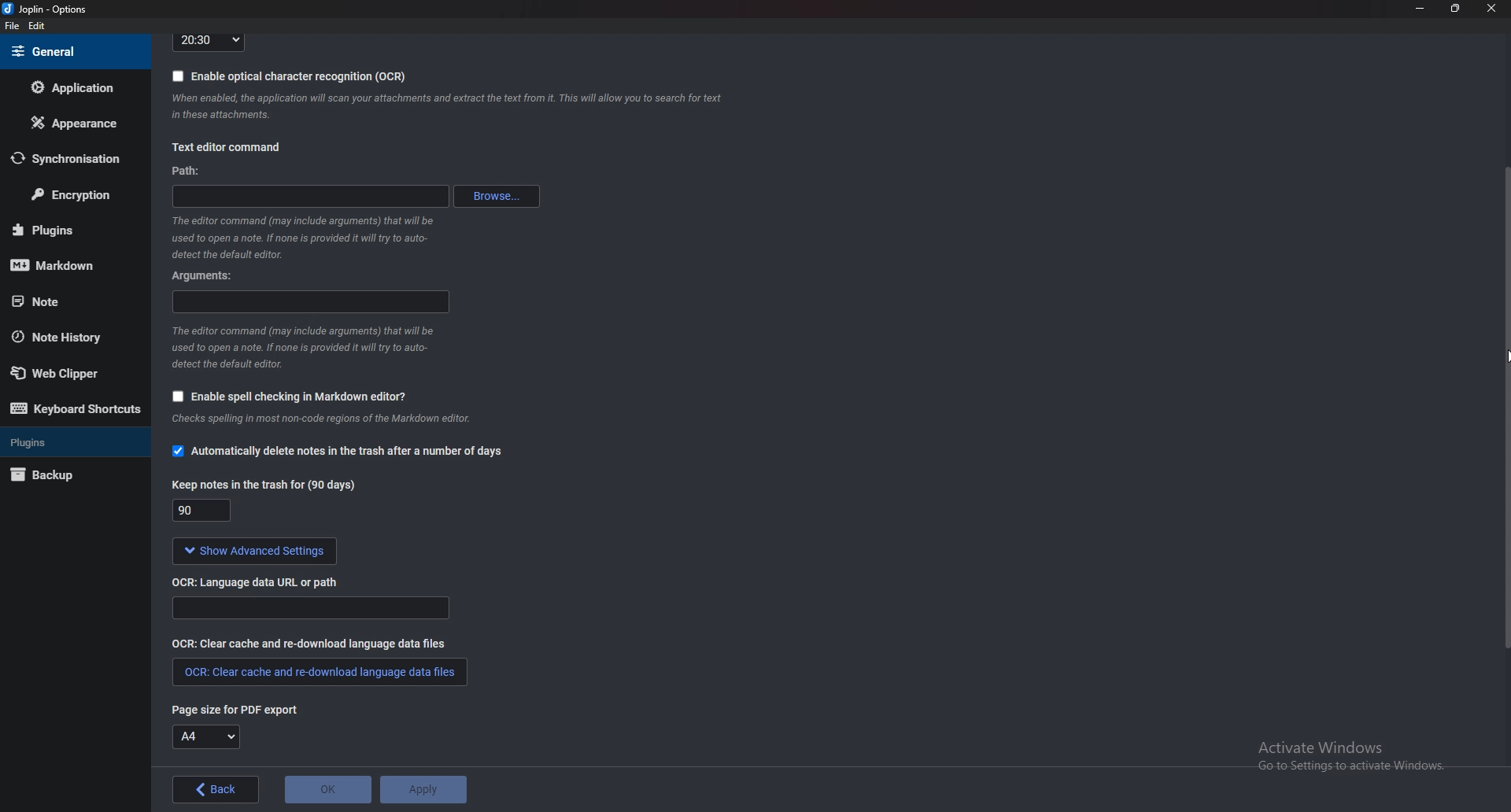 Image resolution: width=1511 pixels, height=812 pixels. I want to click on Enable O C R, so click(290, 76).